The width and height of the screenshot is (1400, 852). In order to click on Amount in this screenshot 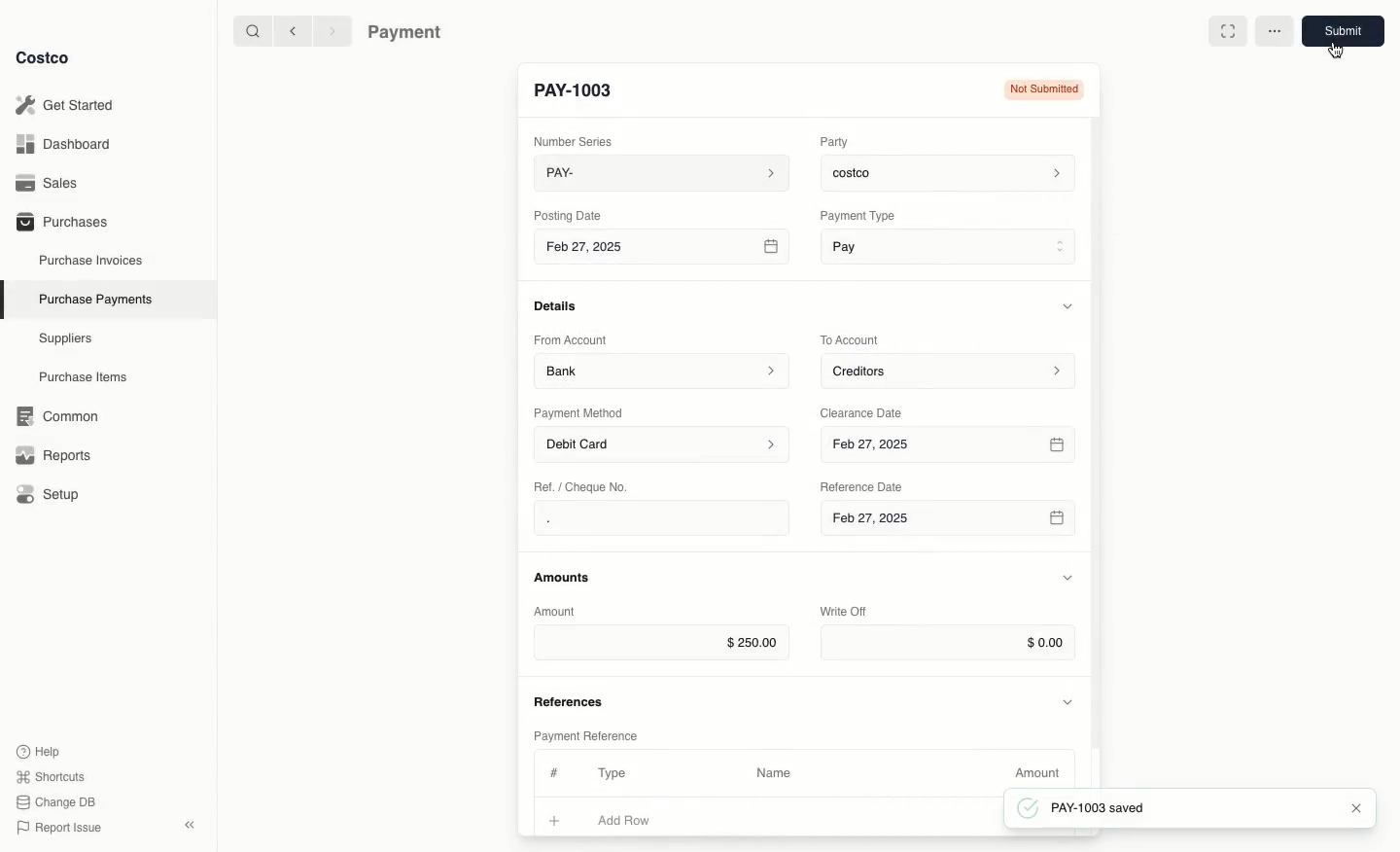, I will do `click(1040, 773)`.